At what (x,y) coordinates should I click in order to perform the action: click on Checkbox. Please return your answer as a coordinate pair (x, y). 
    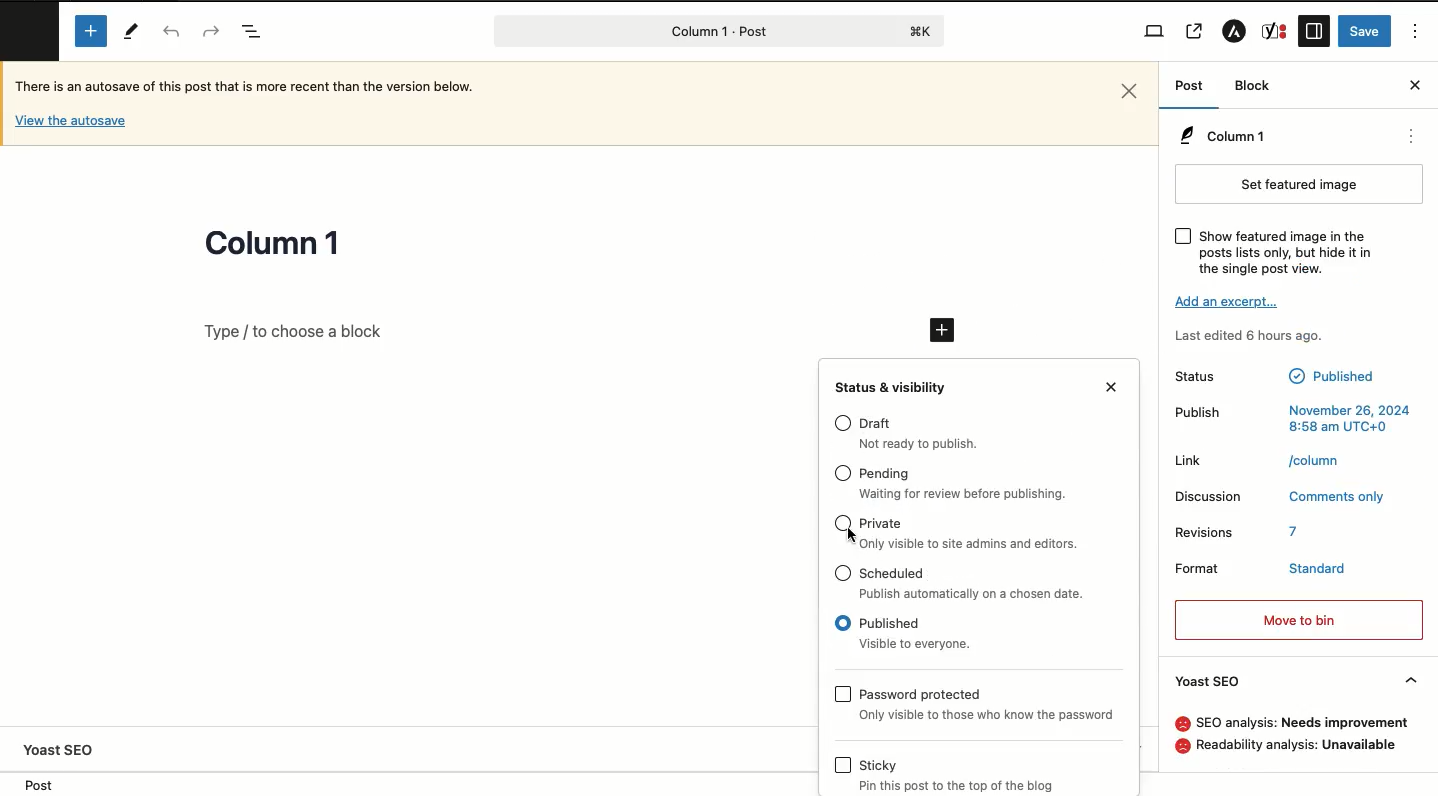
    Looking at the image, I should click on (843, 623).